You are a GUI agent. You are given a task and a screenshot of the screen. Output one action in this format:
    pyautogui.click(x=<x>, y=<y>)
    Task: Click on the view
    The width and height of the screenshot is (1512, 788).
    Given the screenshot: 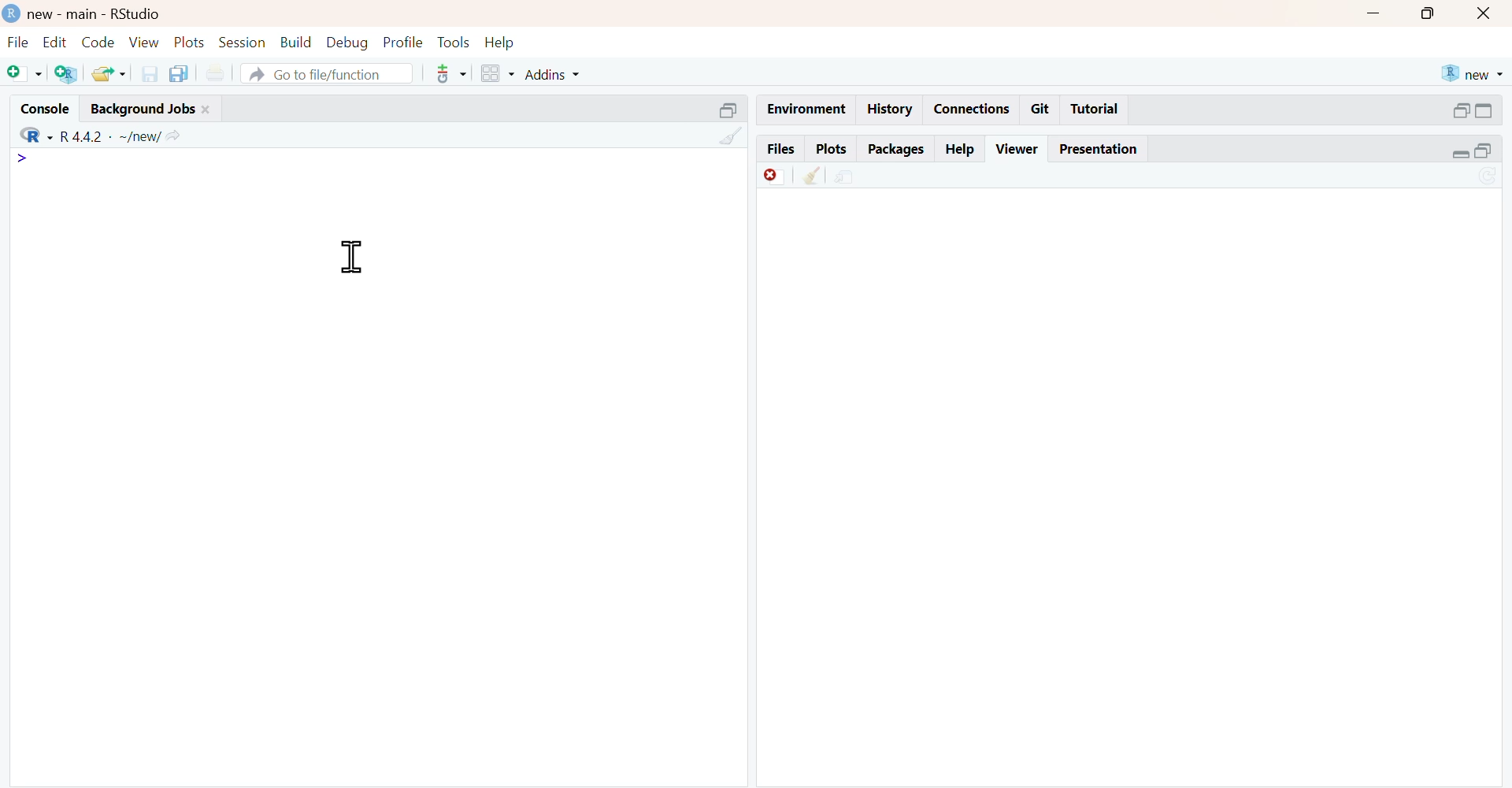 What is the action you would take?
    pyautogui.click(x=145, y=42)
    